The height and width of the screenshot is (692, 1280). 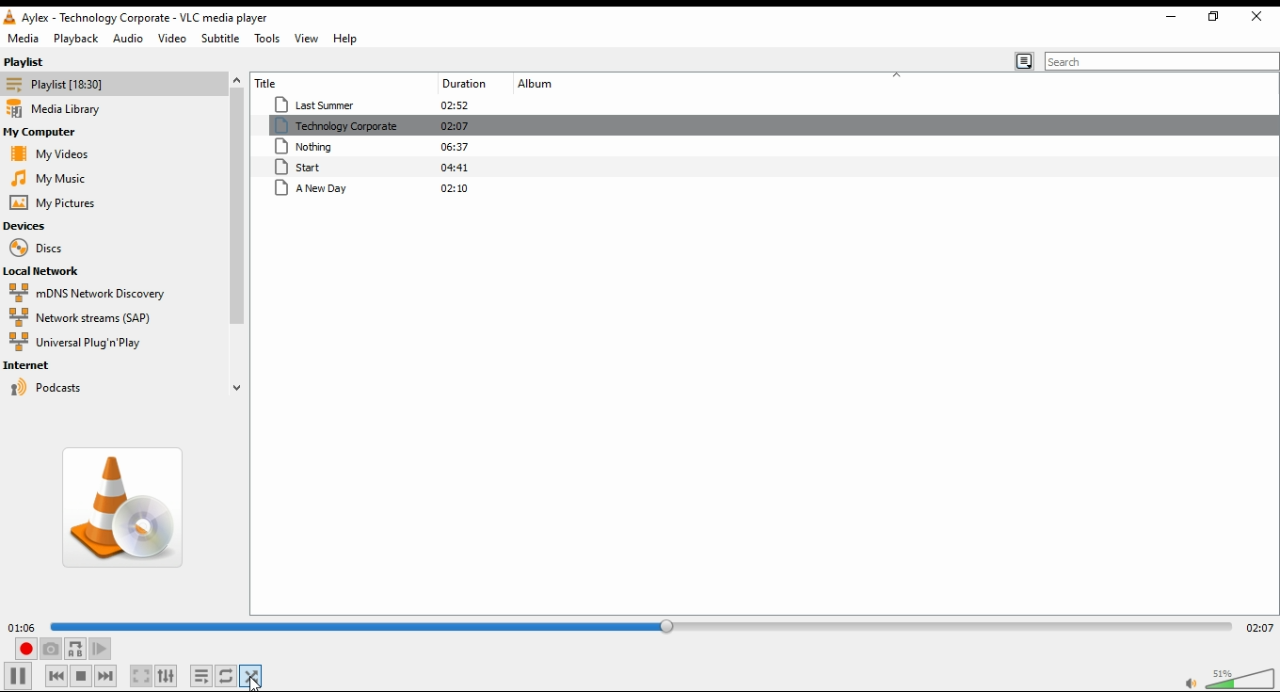 What do you see at coordinates (1214, 18) in the screenshot?
I see `minimize` at bounding box center [1214, 18].